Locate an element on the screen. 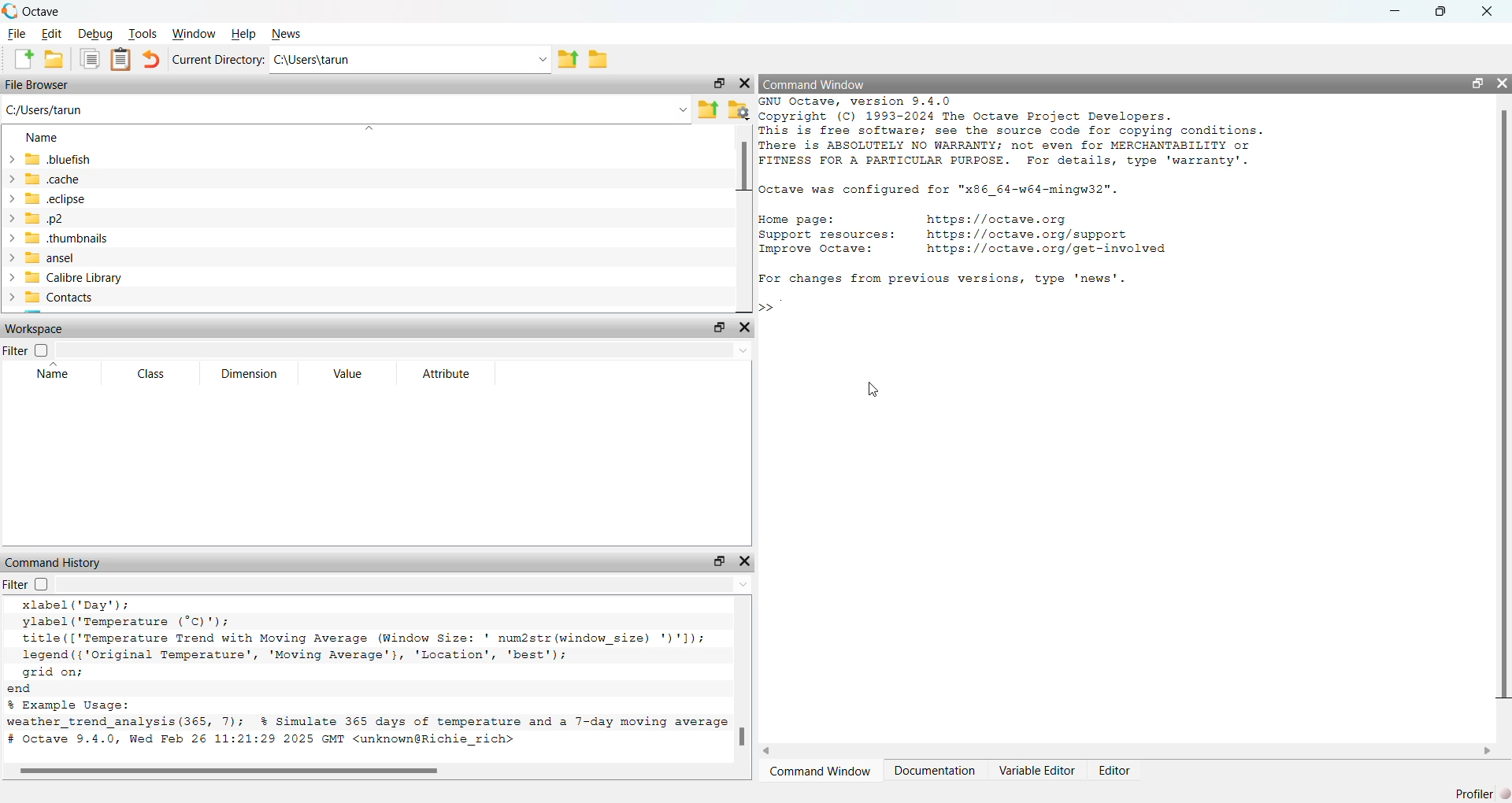  maximise is located at coordinates (1443, 15).